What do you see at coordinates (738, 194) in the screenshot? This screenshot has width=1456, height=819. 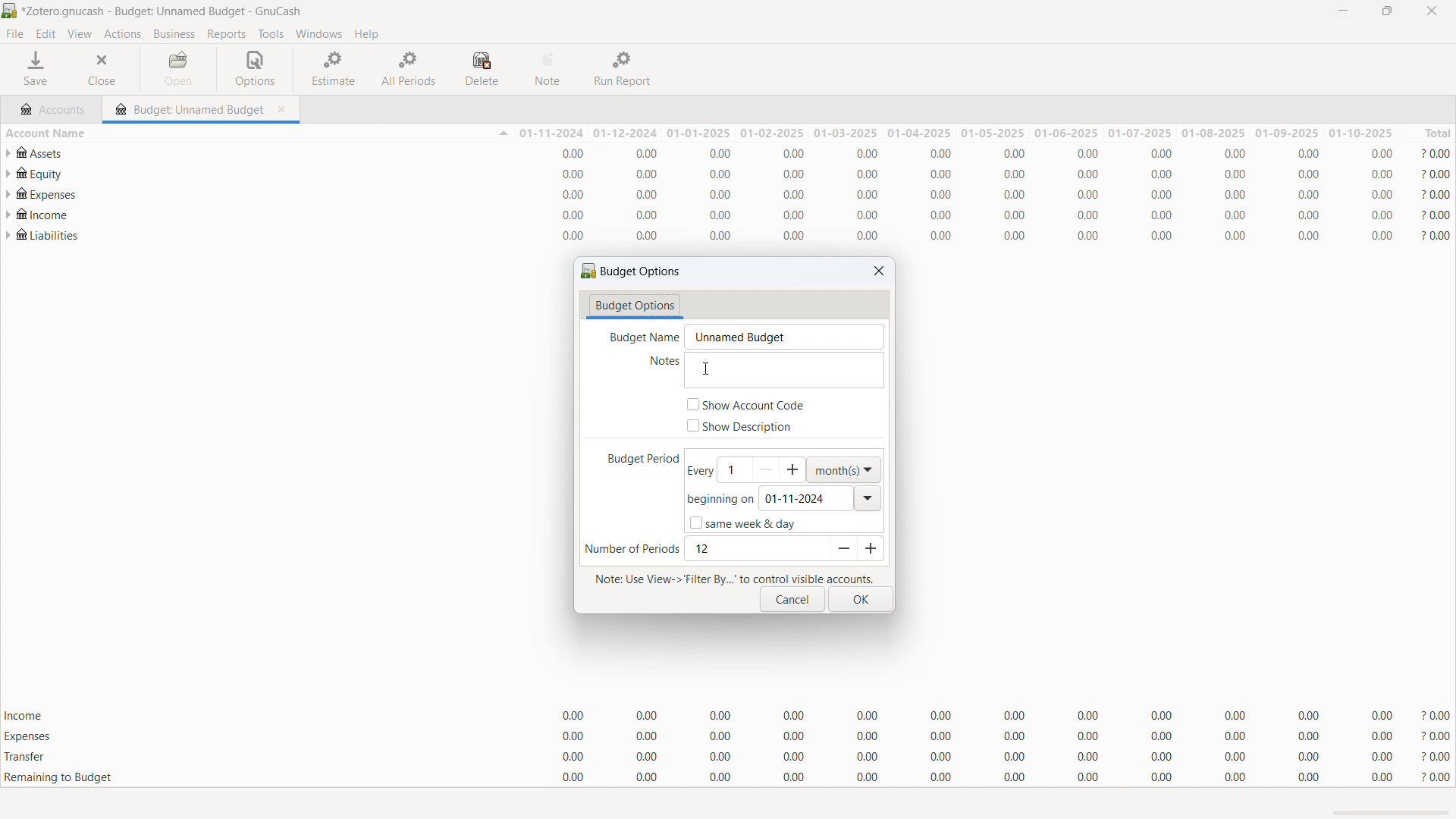 I see `account statement for "Expenses"` at bounding box center [738, 194].